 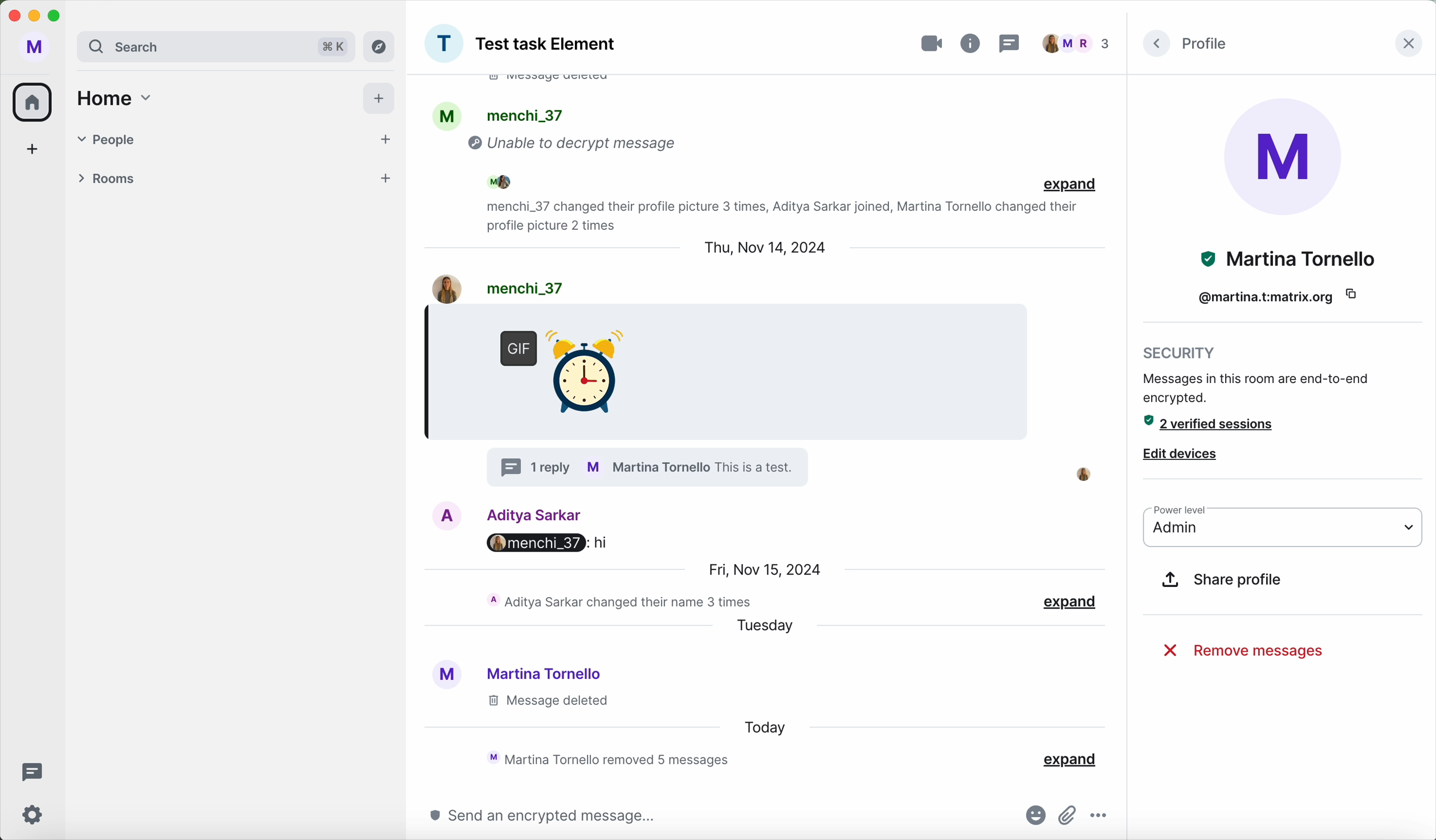 I want to click on activity chat, so click(x=614, y=758).